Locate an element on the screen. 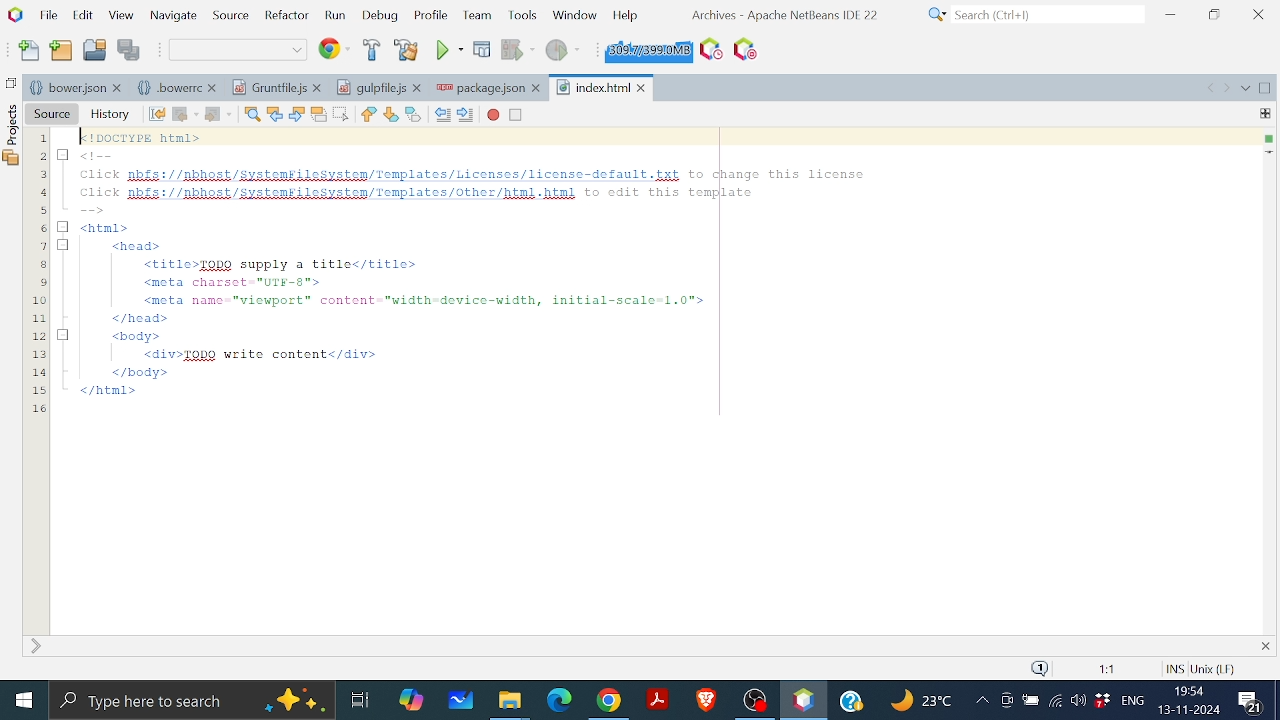  drag me to split this window vertically or horizontally is located at coordinates (1265, 114).